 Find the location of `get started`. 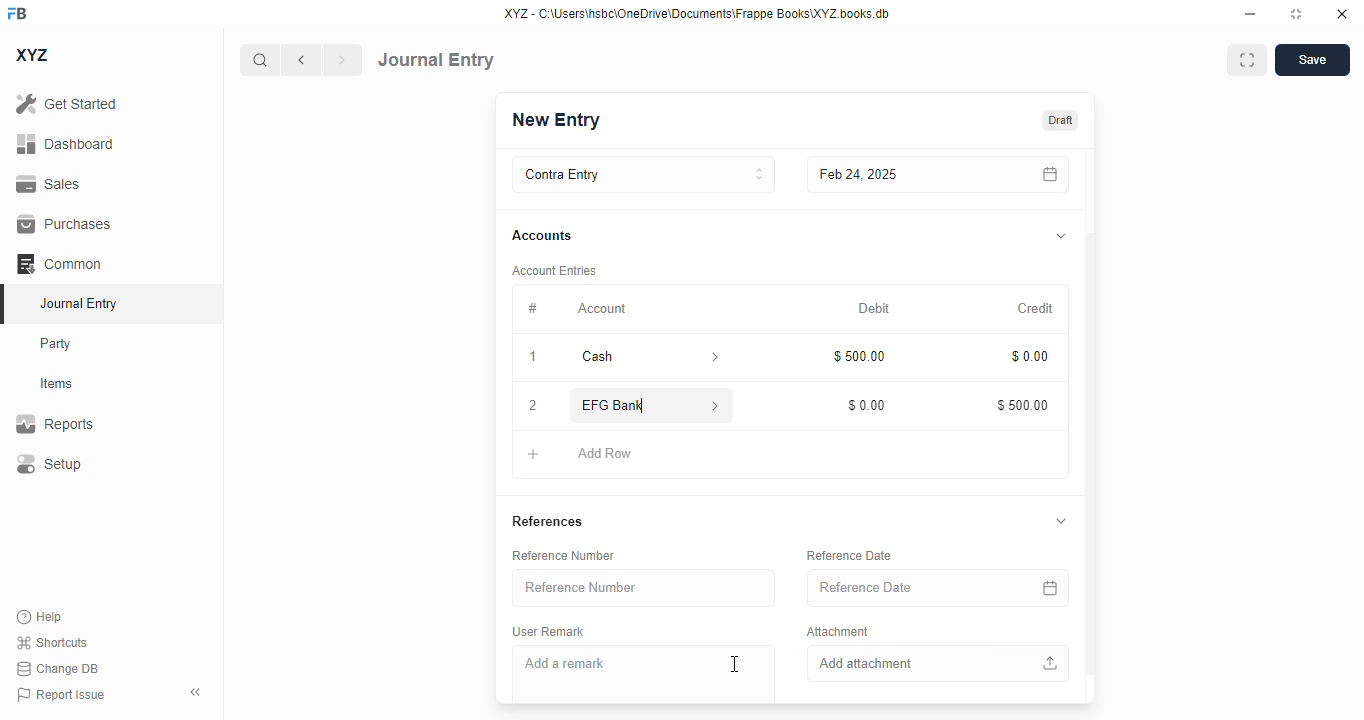

get started is located at coordinates (67, 104).